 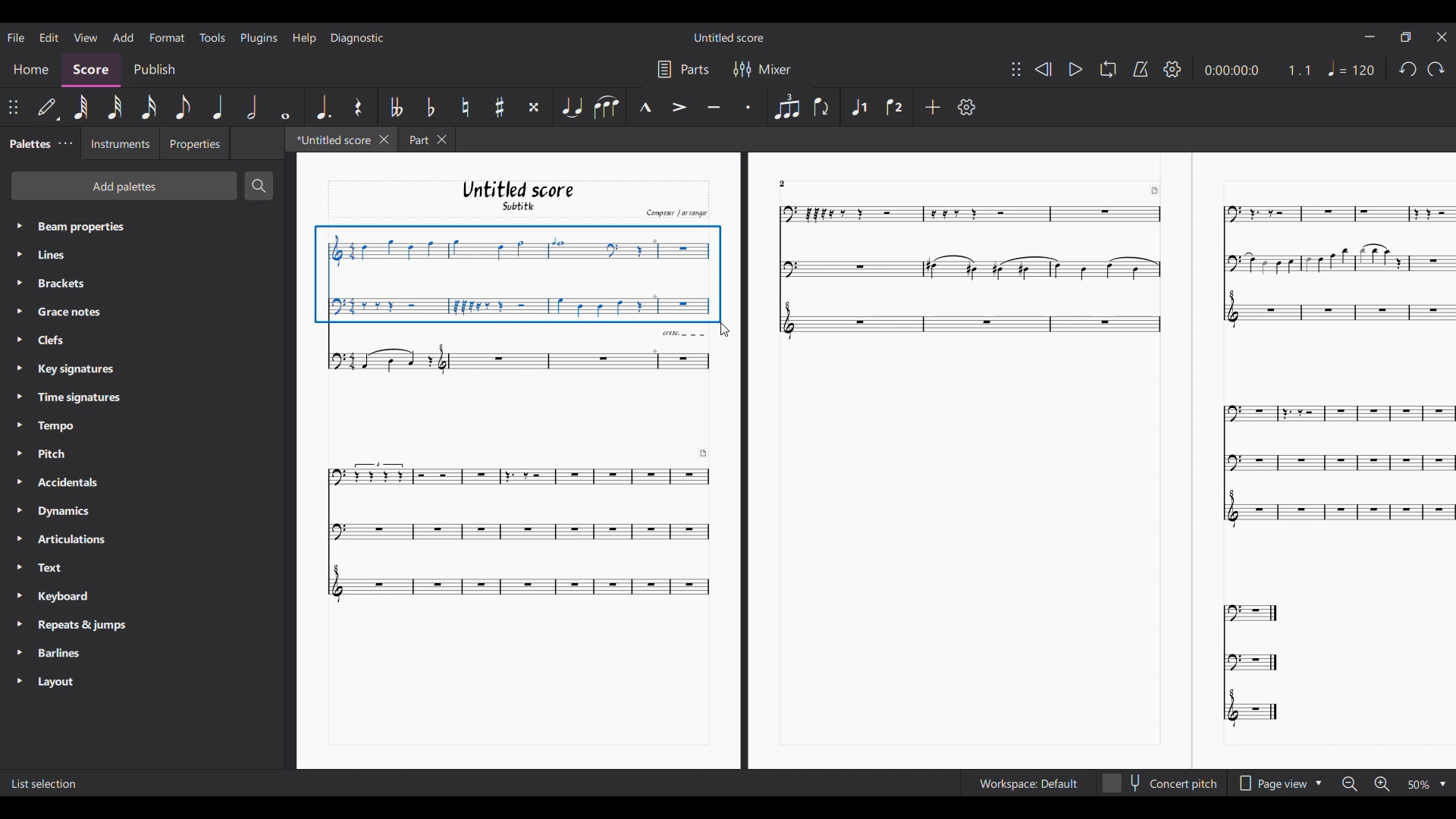 What do you see at coordinates (17, 283) in the screenshot?
I see `Highlighted by cursor` at bounding box center [17, 283].